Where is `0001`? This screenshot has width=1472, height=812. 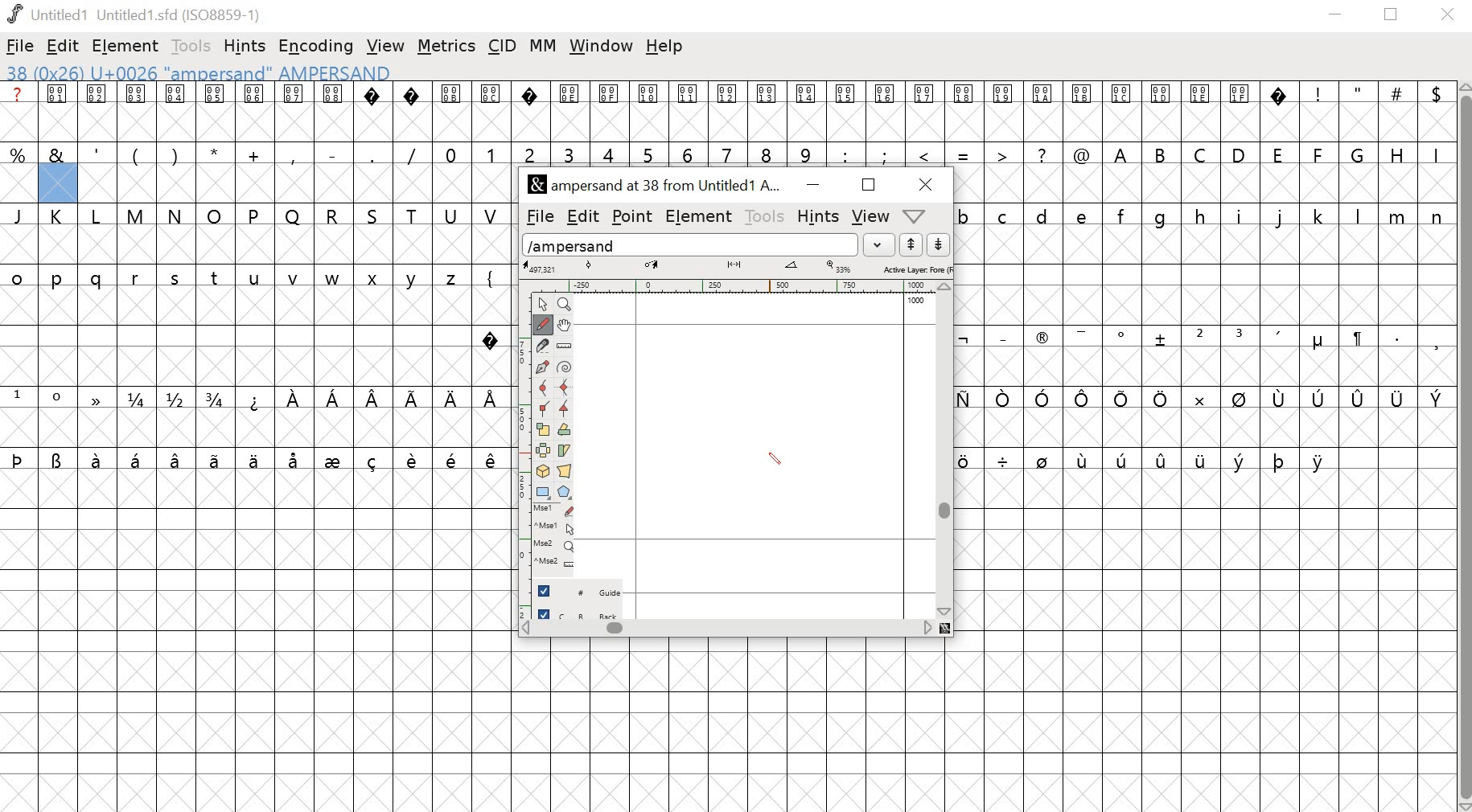
0001 is located at coordinates (60, 112).